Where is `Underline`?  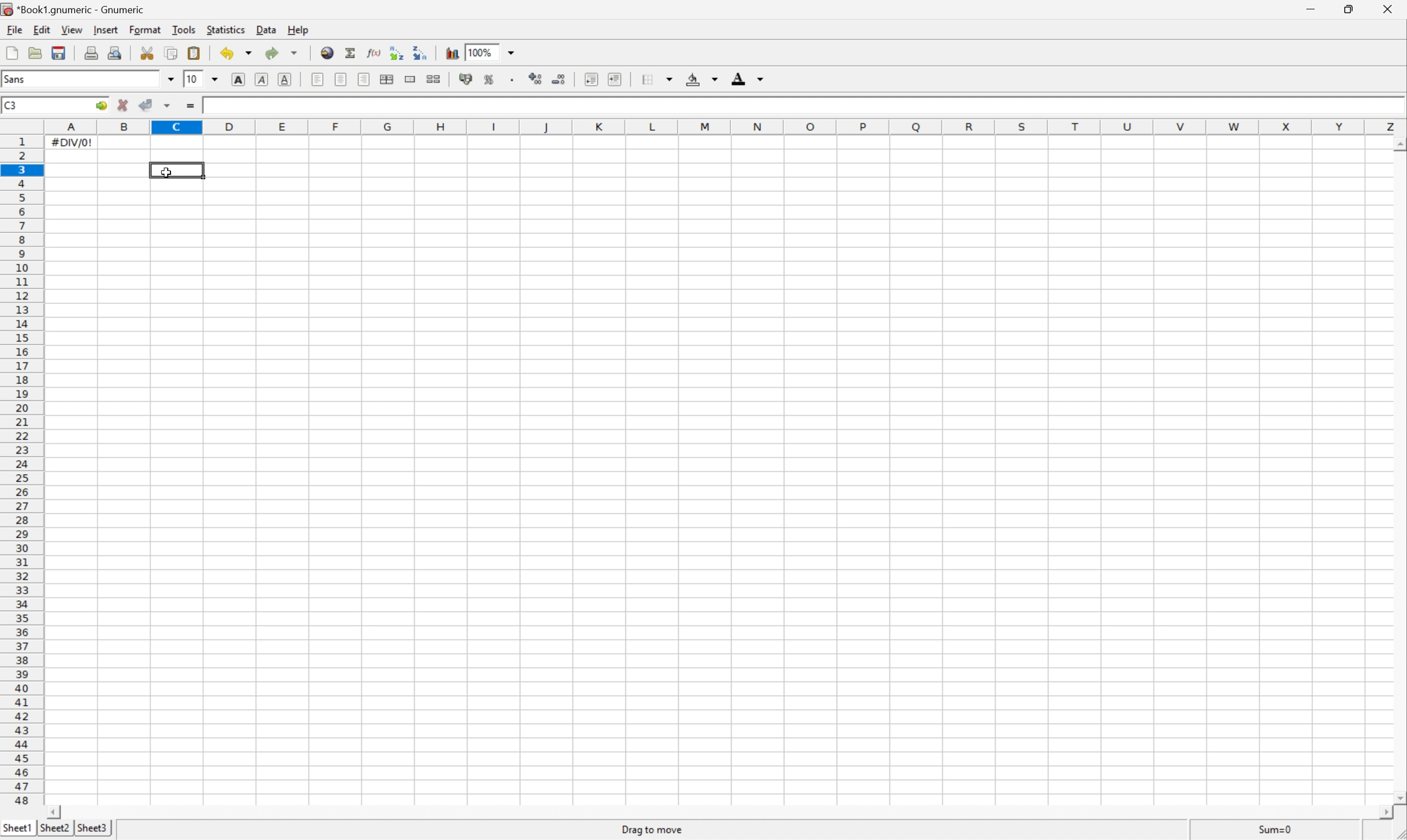
Underline is located at coordinates (287, 79).